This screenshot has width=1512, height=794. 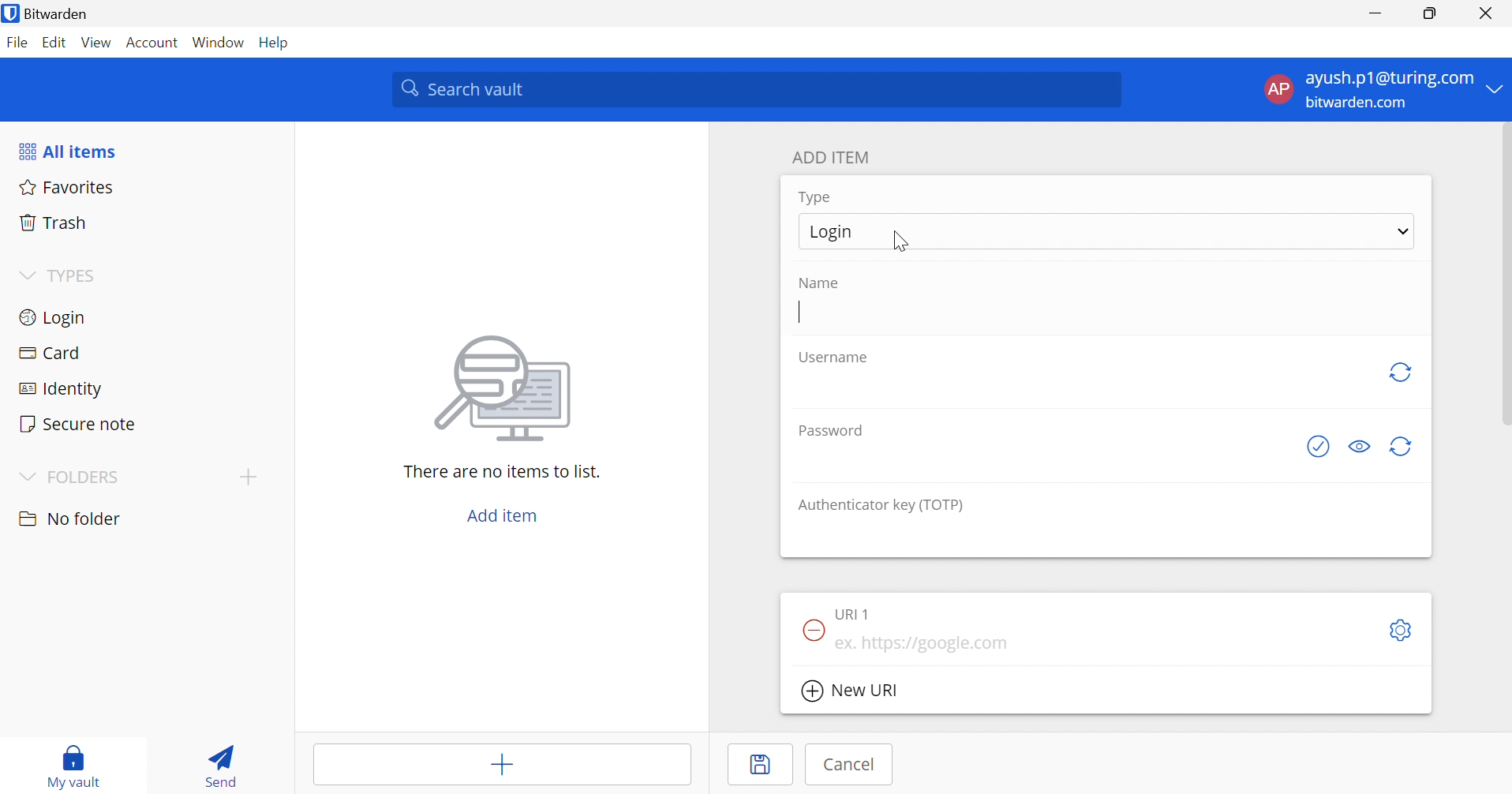 What do you see at coordinates (54, 353) in the screenshot?
I see `Card` at bounding box center [54, 353].